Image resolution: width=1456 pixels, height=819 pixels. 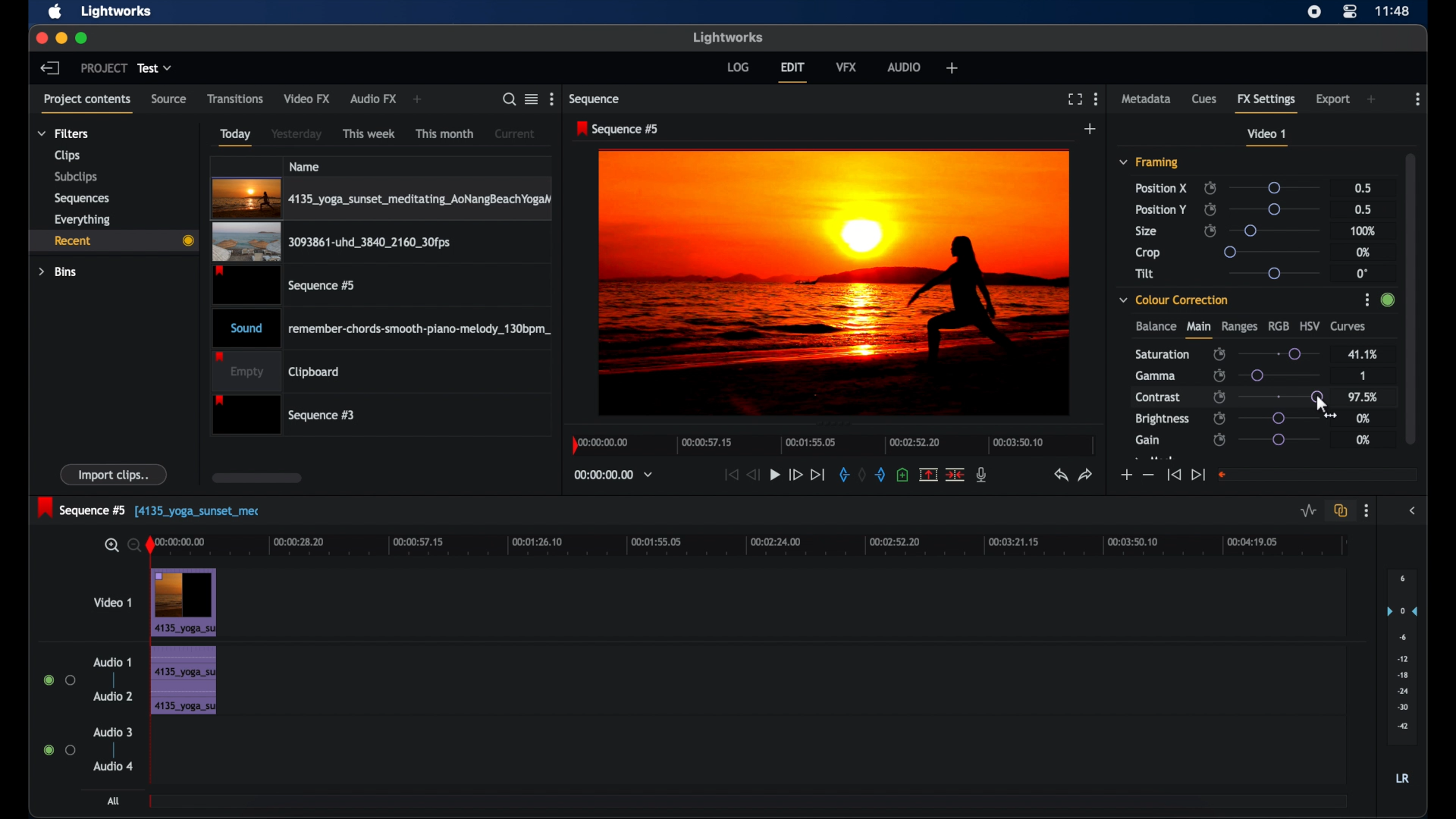 What do you see at coordinates (1148, 253) in the screenshot?
I see `crop` at bounding box center [1148, 253].